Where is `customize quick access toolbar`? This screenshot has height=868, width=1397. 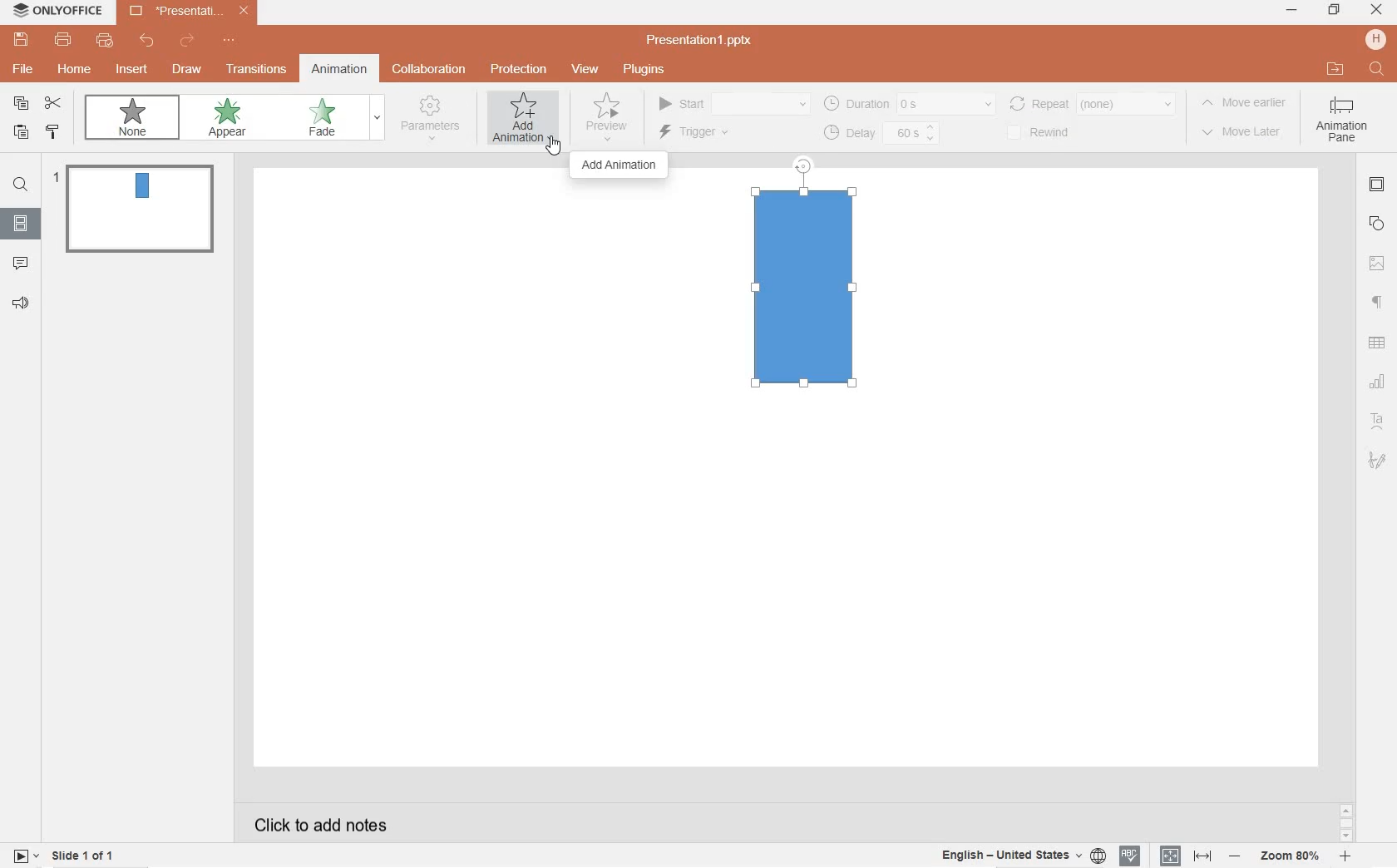
customize quick access toolbar is located at coordinates (233, 42).